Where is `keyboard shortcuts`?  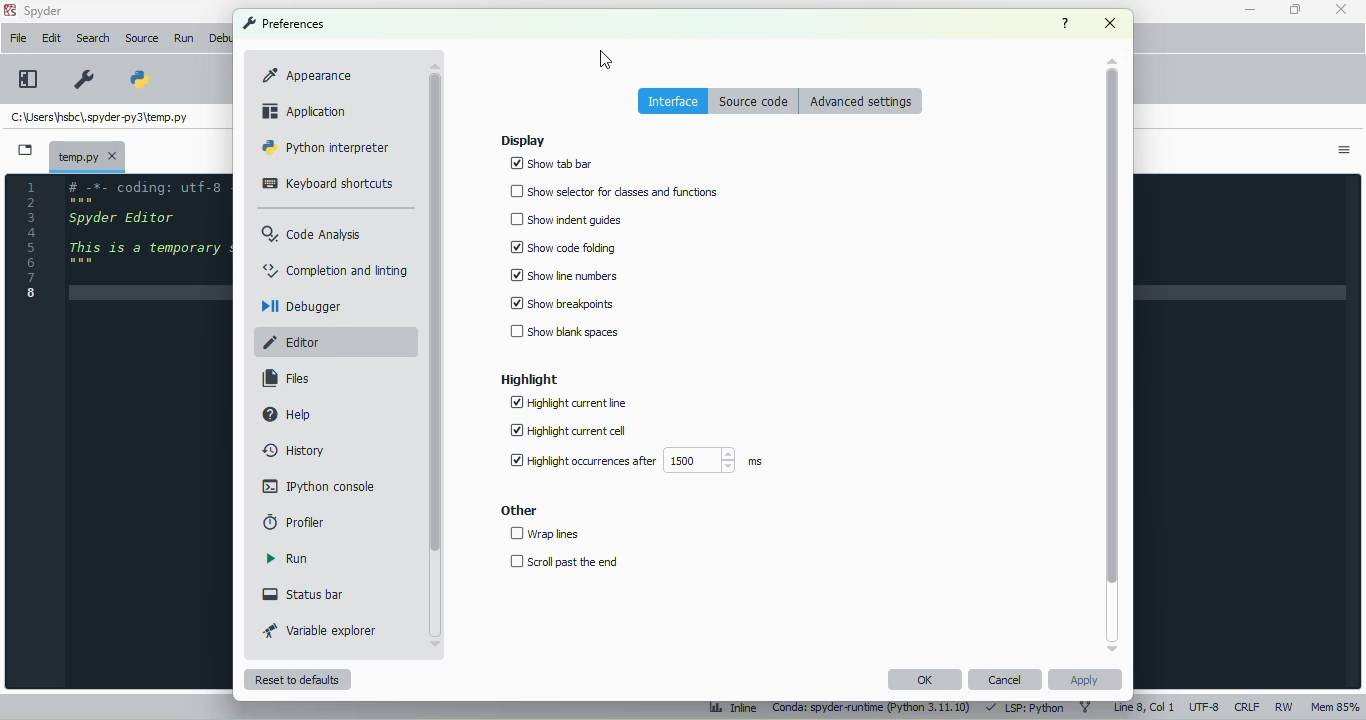 keyboard shortcuts is located at coordinates (327, 184).